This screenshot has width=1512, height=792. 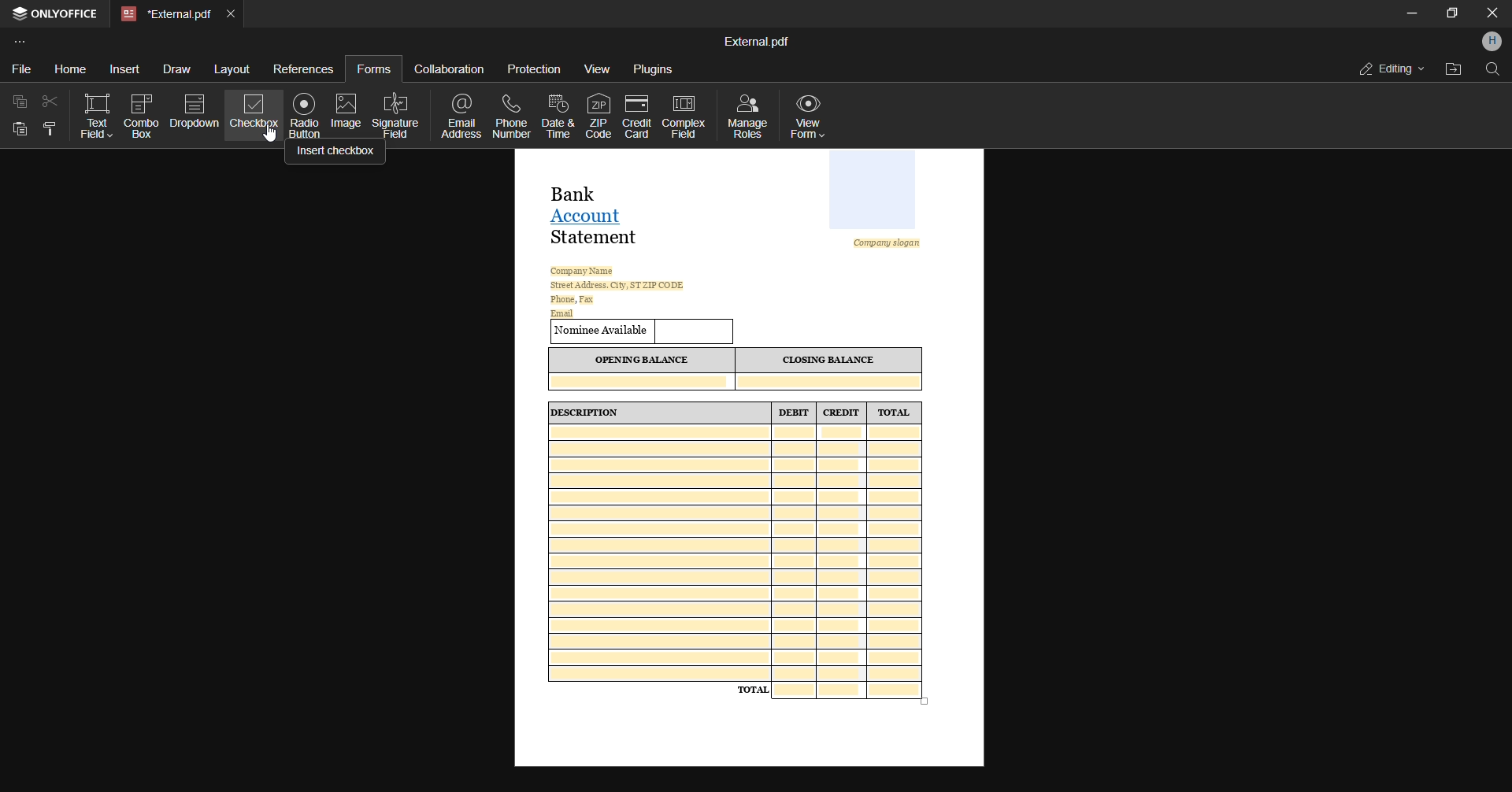 What do you see at coordinates (558, 118) in the screenshot?
I see `date and time` at bounding box center [558, 118].